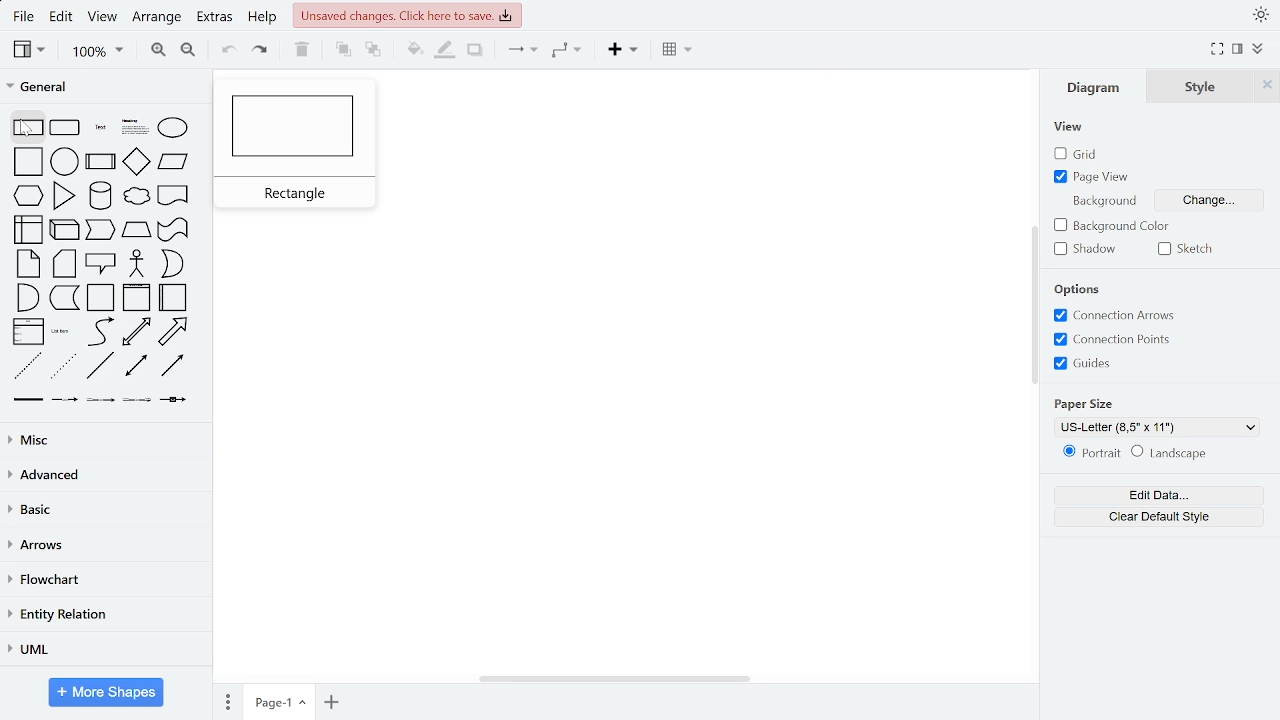 The height and width of the screenshot is (720, 1280). What do you see at coordinates (1112, 227) in the screenshot?
I see `background color` at bounding box center [1112, 227].